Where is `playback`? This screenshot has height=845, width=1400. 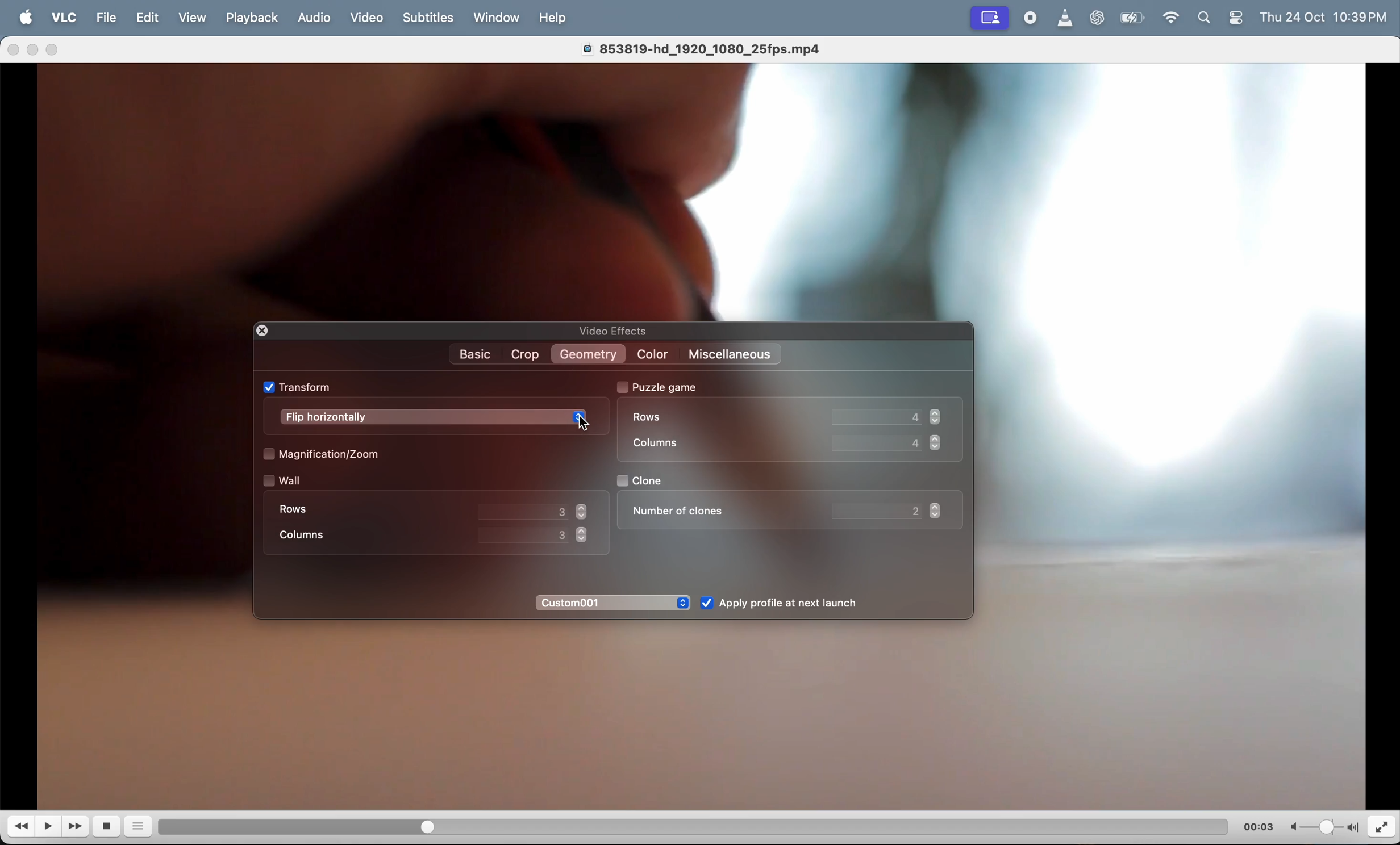 playback is located at coordinates (253, 17).